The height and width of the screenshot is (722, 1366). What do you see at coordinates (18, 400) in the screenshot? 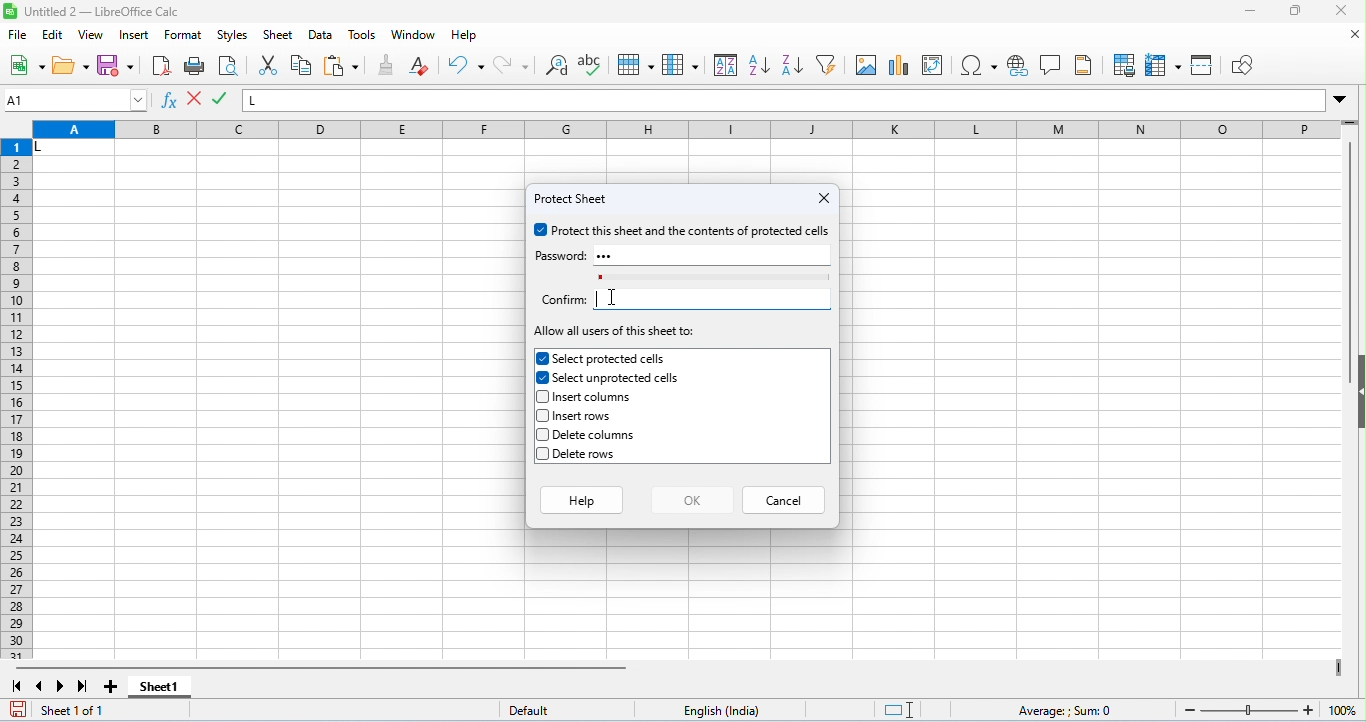
I see `row numbers` at bounding box center [18, 400].